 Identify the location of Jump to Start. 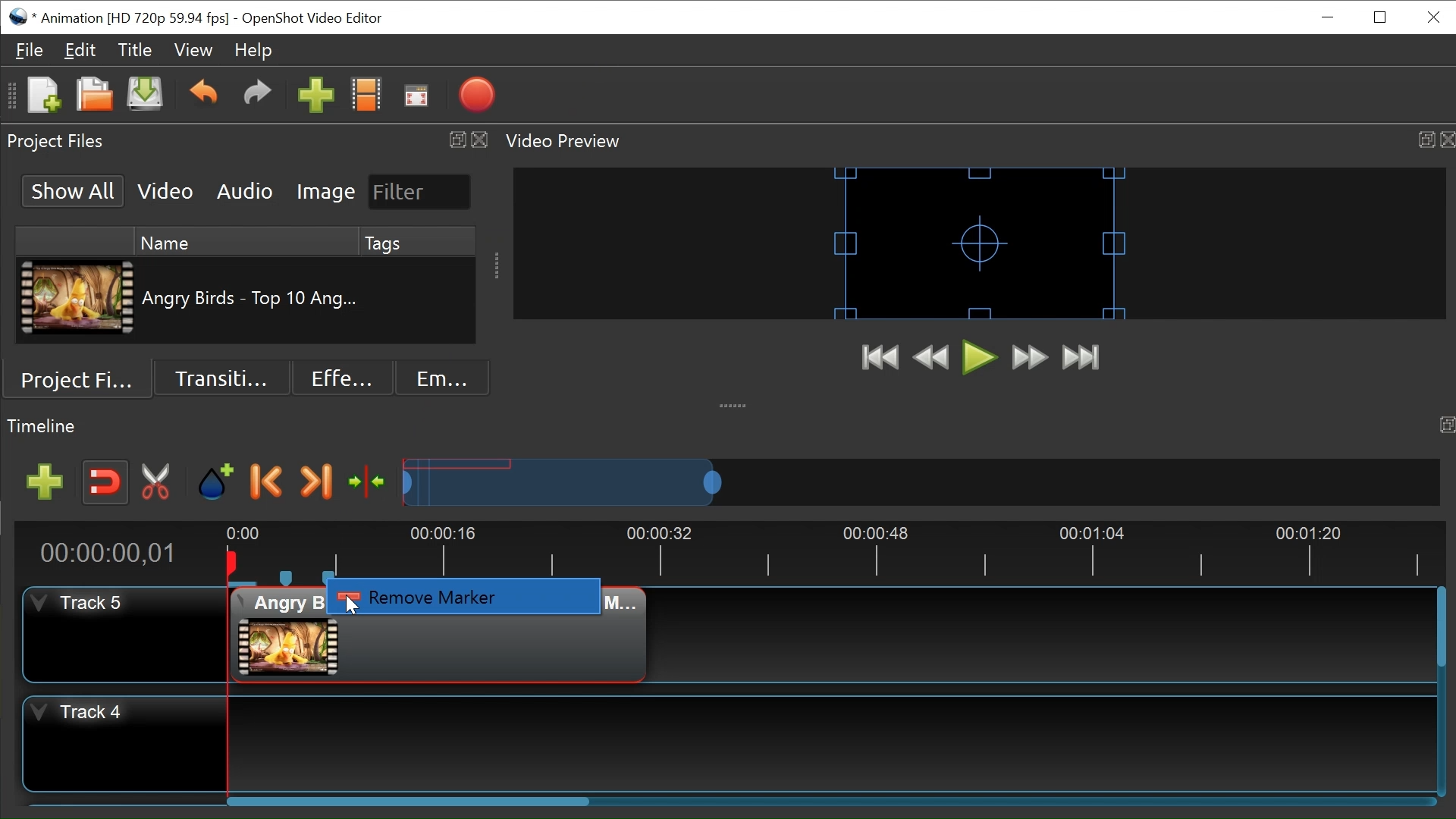
(881, 359).